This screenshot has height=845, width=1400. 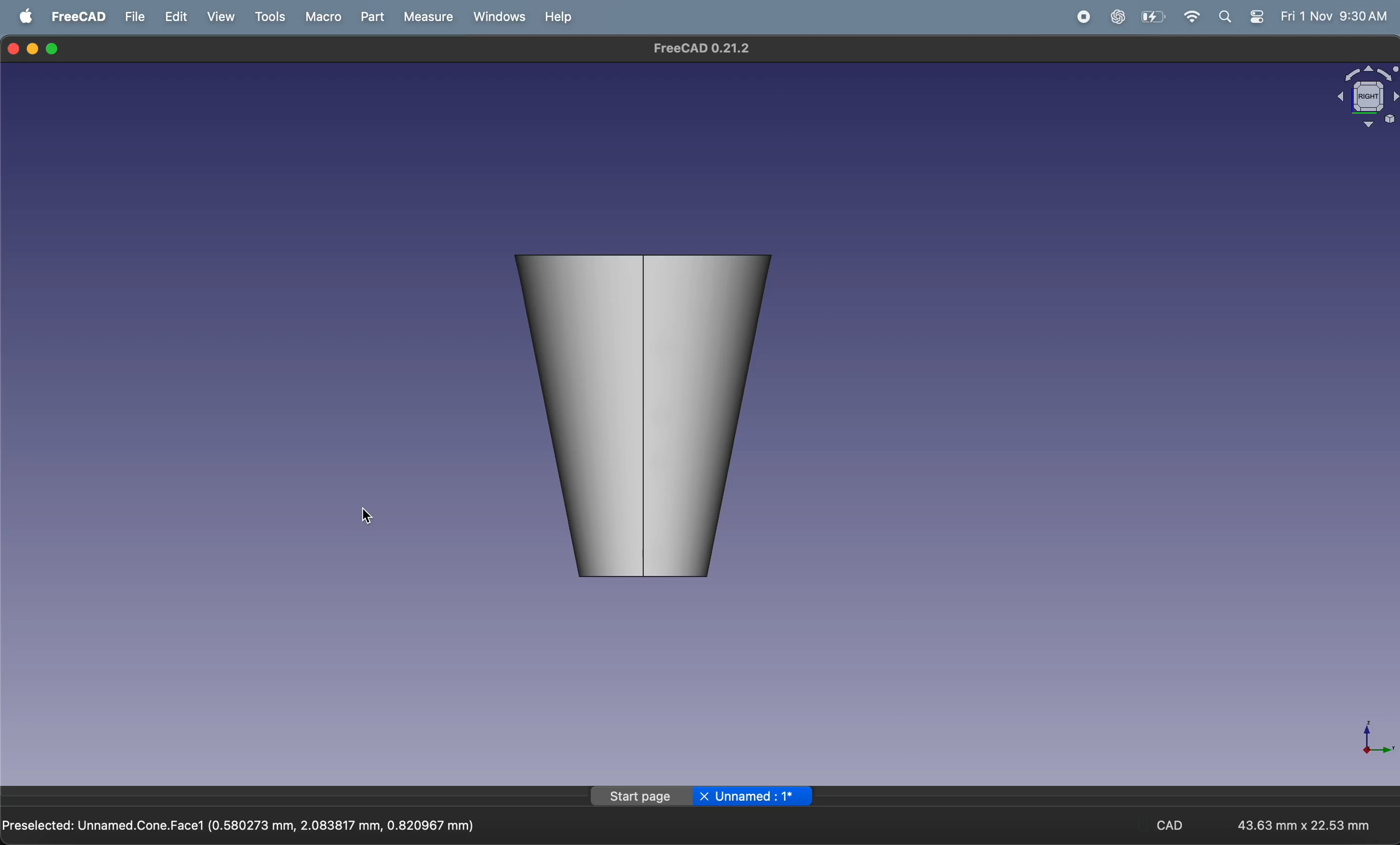 I want to click on closing window, so click(x=14, y=48).